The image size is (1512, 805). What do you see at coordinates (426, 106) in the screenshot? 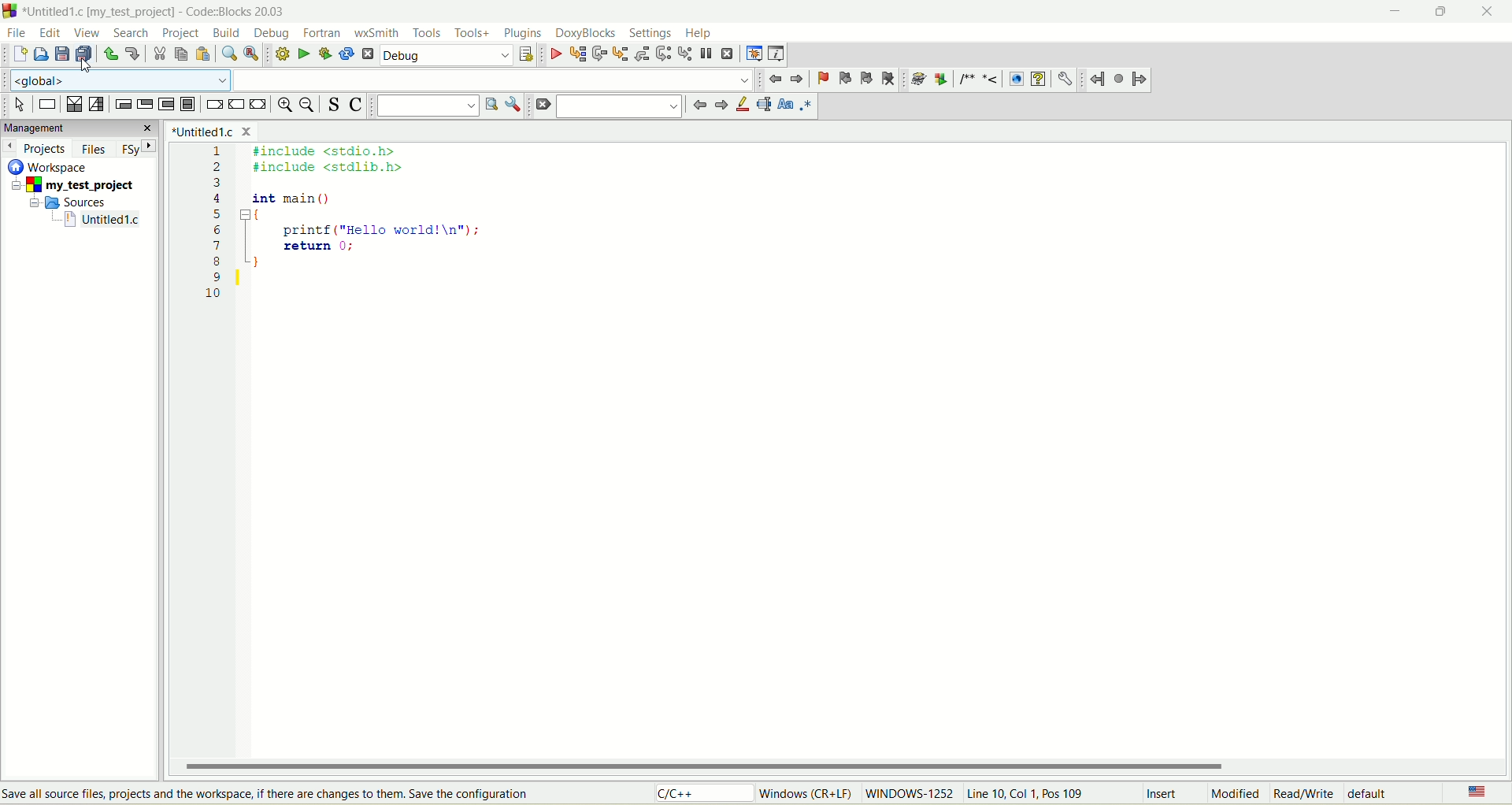
I see `text search` at bounding box center [426, 106].